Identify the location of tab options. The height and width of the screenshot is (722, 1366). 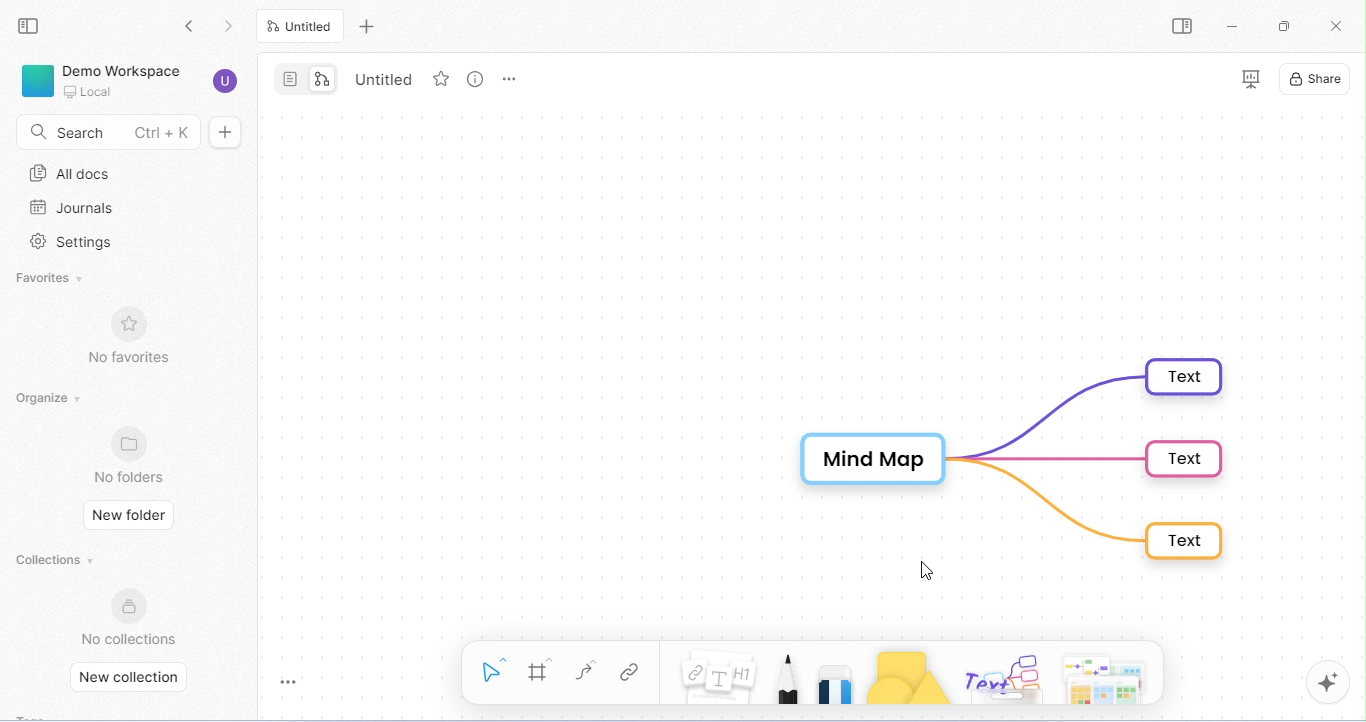
(512, 82).